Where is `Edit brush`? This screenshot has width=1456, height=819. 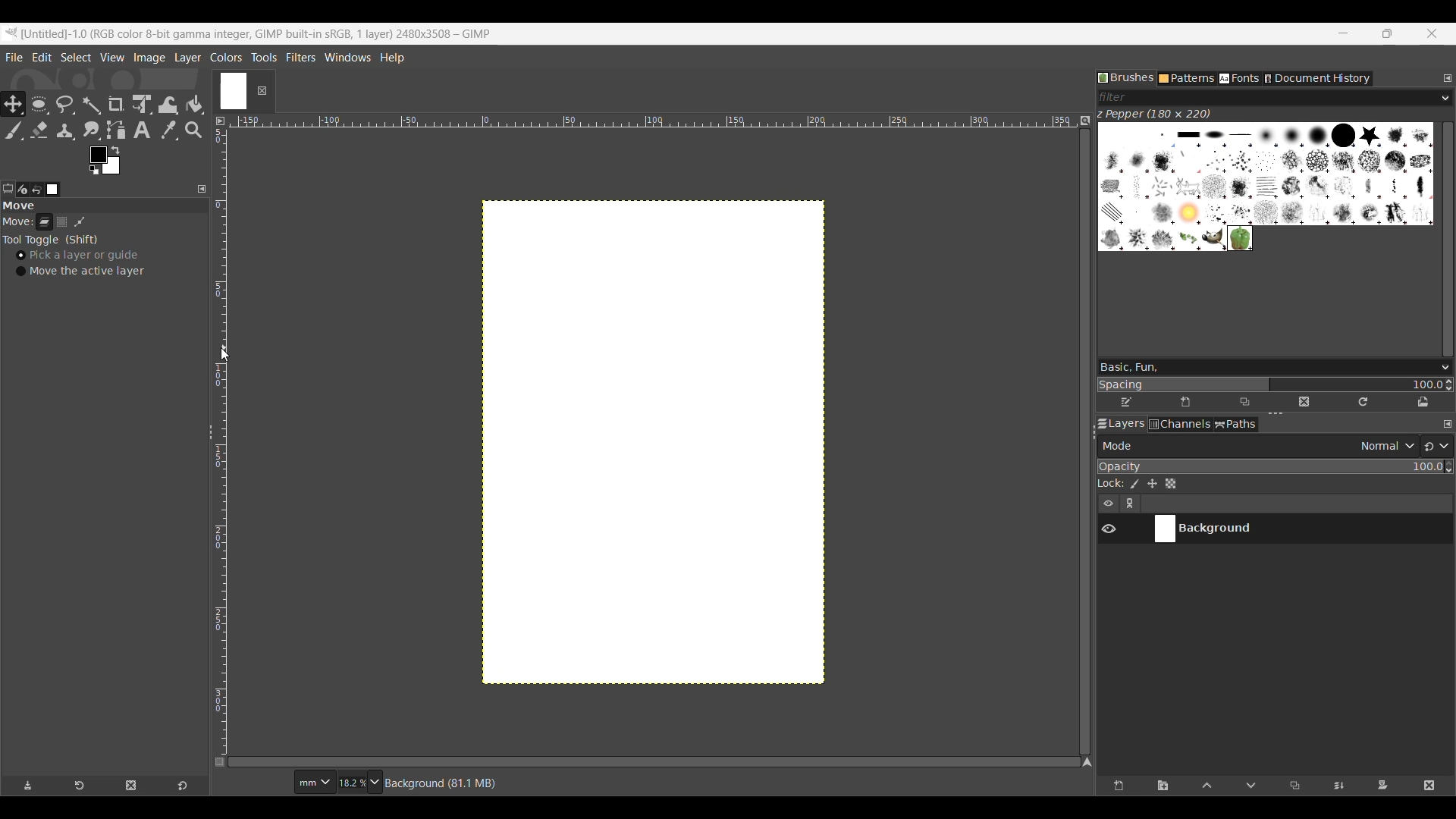
Edit brush is located at coordinates (1127, 400).